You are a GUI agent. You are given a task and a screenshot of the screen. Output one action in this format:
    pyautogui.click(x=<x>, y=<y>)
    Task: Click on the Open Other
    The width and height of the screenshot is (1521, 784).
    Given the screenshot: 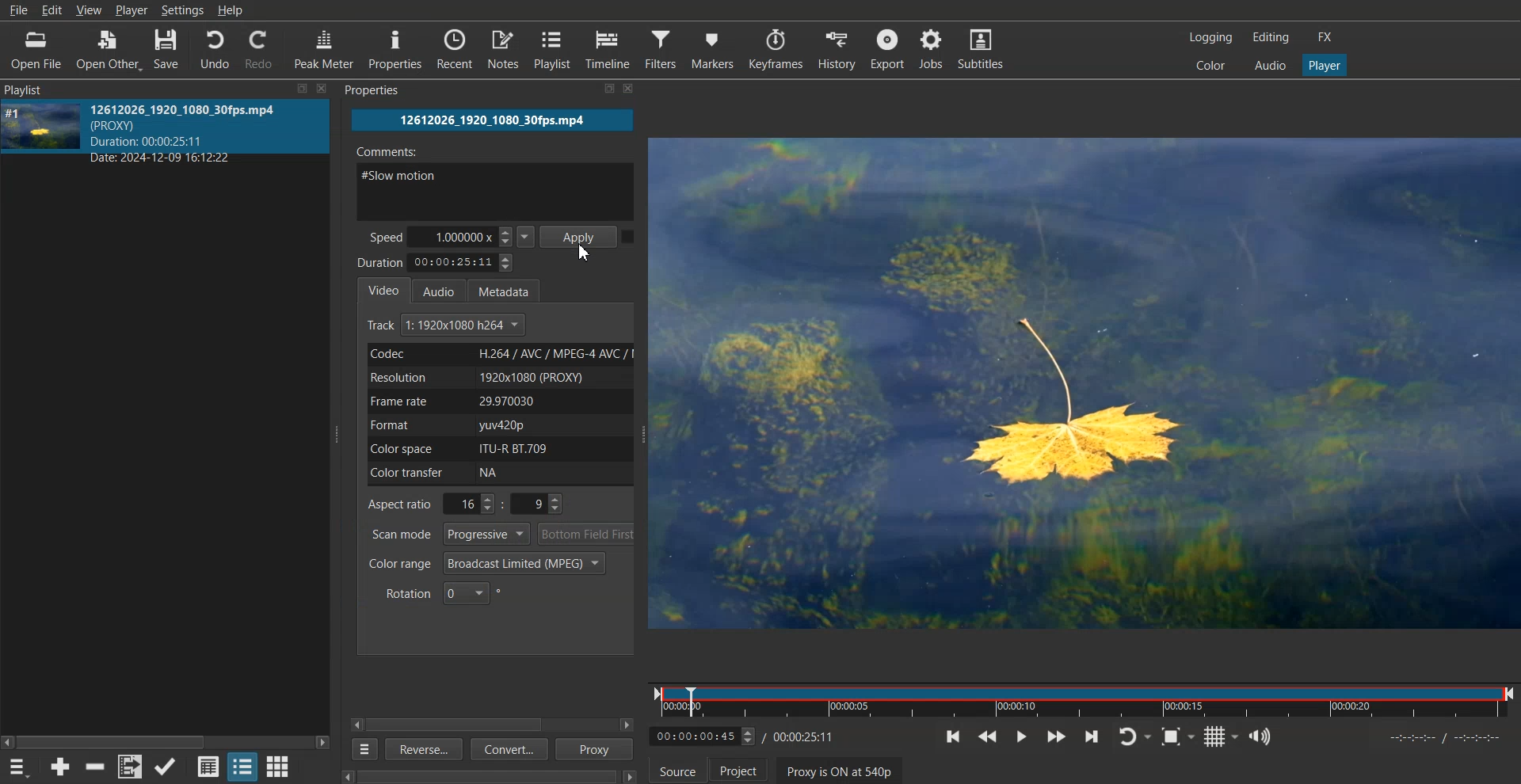 What is the action you would take?
    pyautogui.click(x=107, y=49)
    